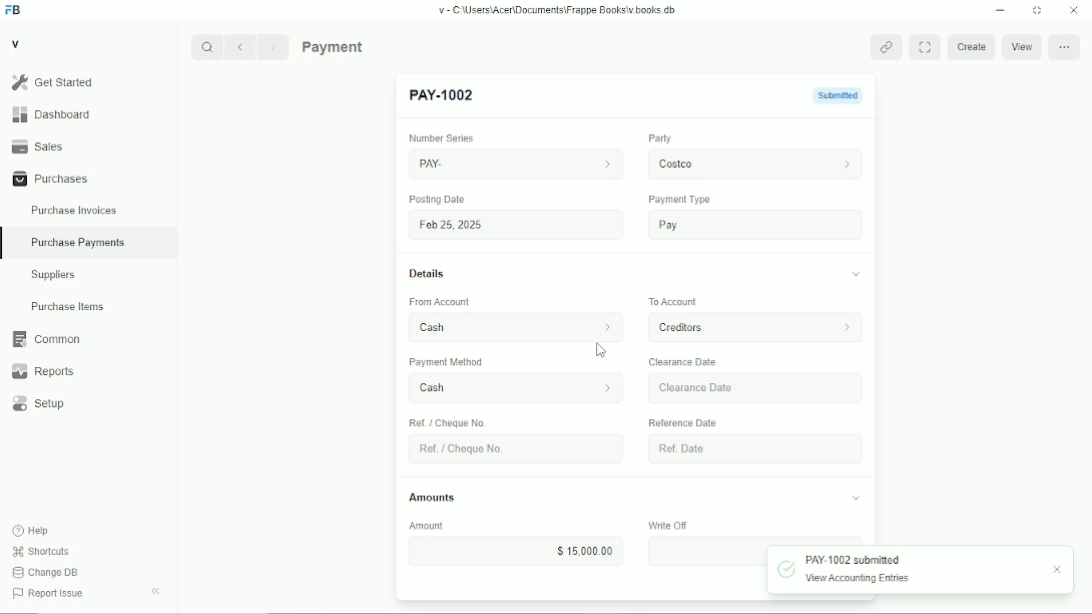  Describe the element at coordinates (207, 47) in the screenshot. I see `Search` at that location.